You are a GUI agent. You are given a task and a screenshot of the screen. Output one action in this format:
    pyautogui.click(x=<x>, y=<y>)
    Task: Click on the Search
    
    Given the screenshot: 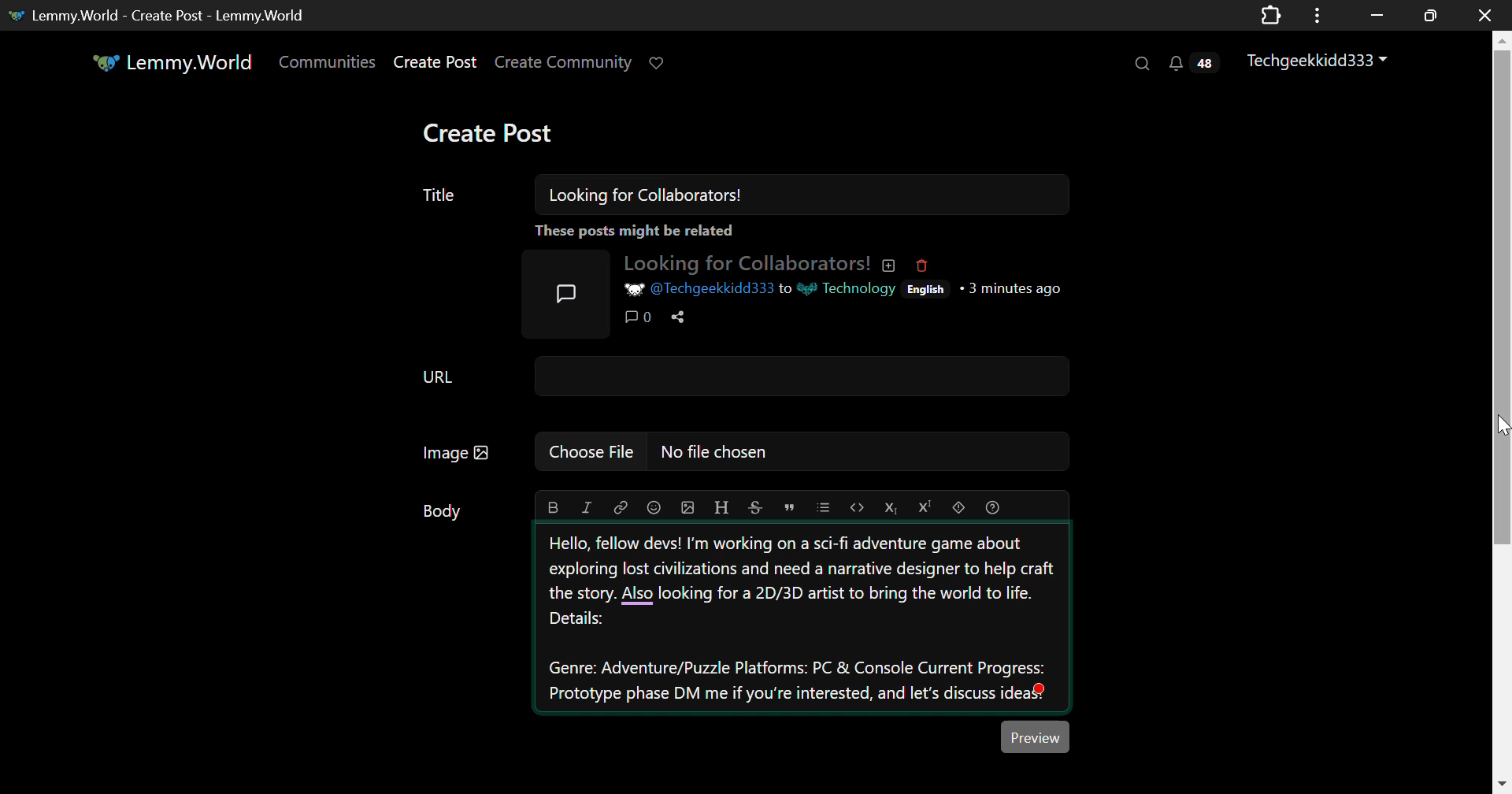 What is the action you would take?
    pyautogui.click(x=1144, y=65)
    